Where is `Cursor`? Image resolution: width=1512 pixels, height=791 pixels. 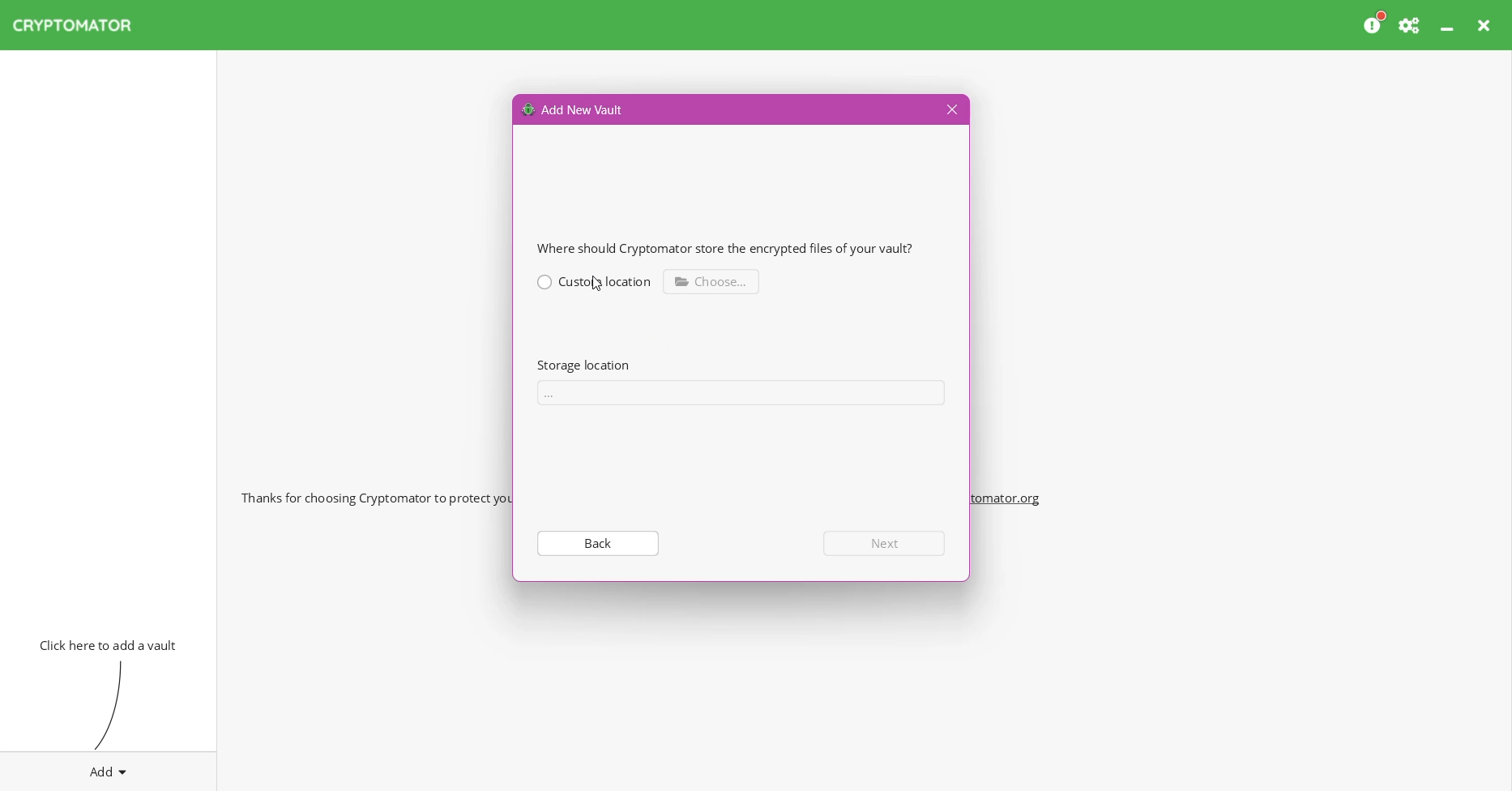
Cursor is located at coordinates (598, 284).